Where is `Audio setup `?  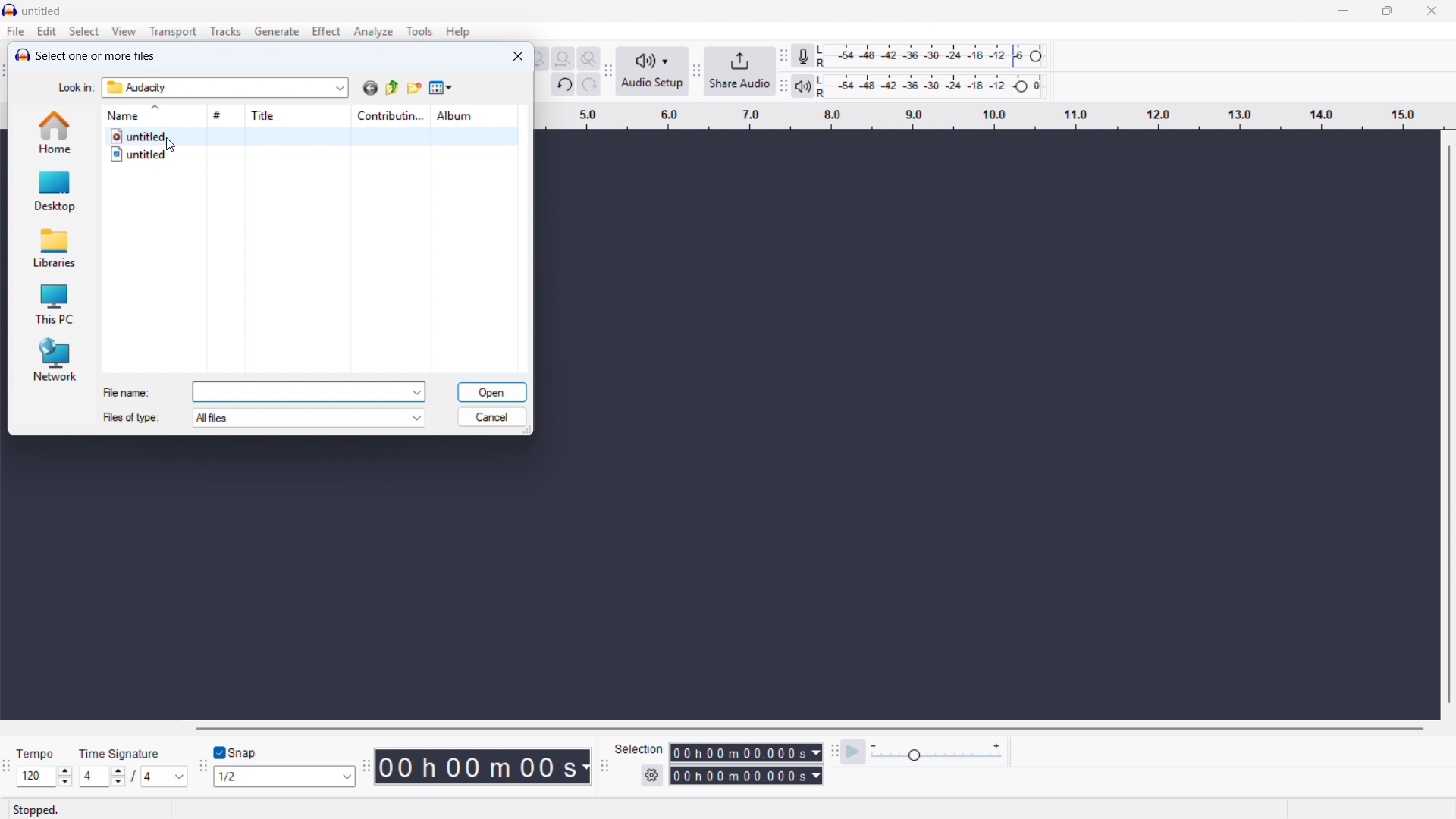
Audio setup  is located at coordinates (652, 71).